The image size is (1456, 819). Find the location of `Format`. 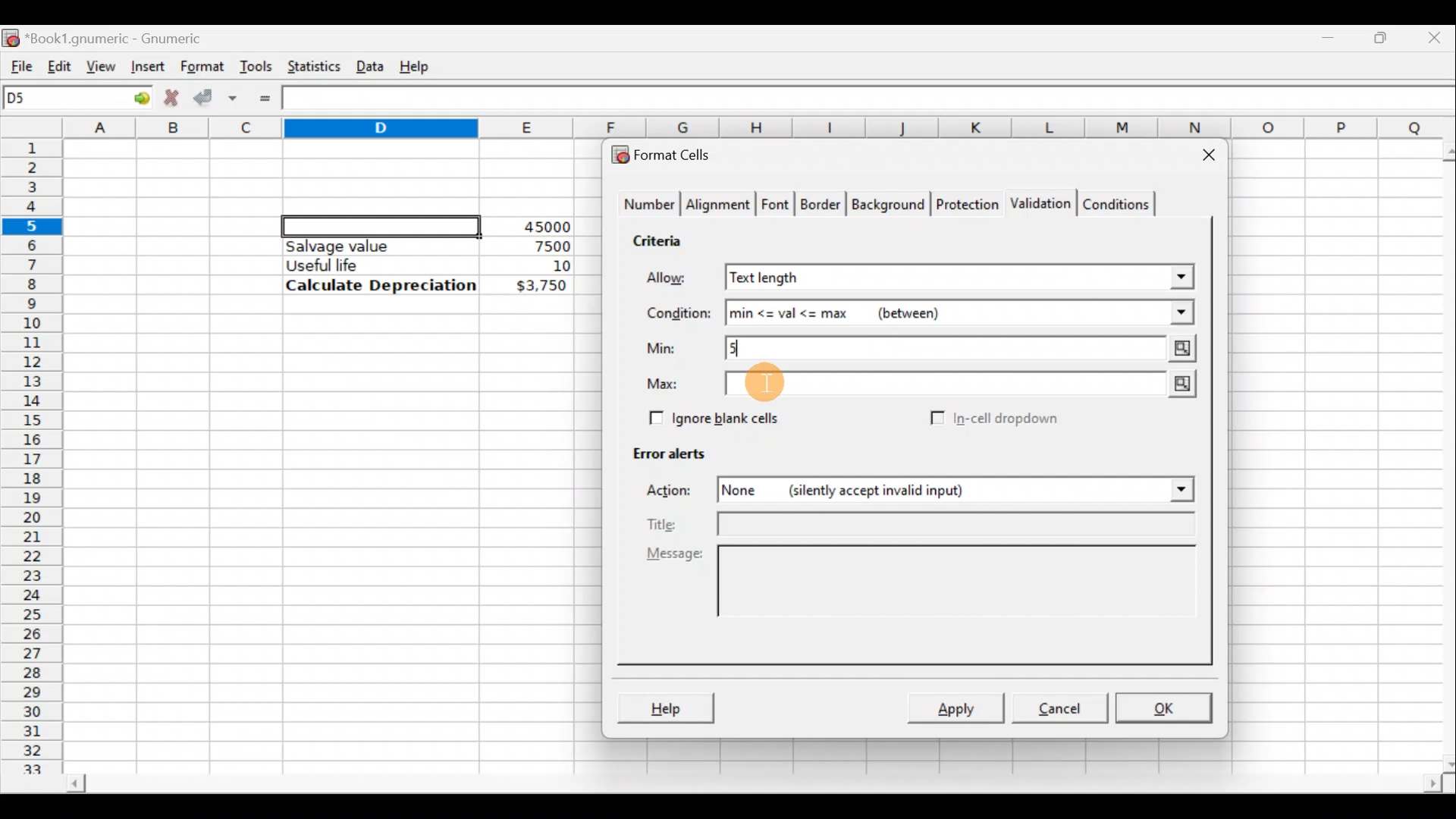

Format is located at coordinates (201, 67).